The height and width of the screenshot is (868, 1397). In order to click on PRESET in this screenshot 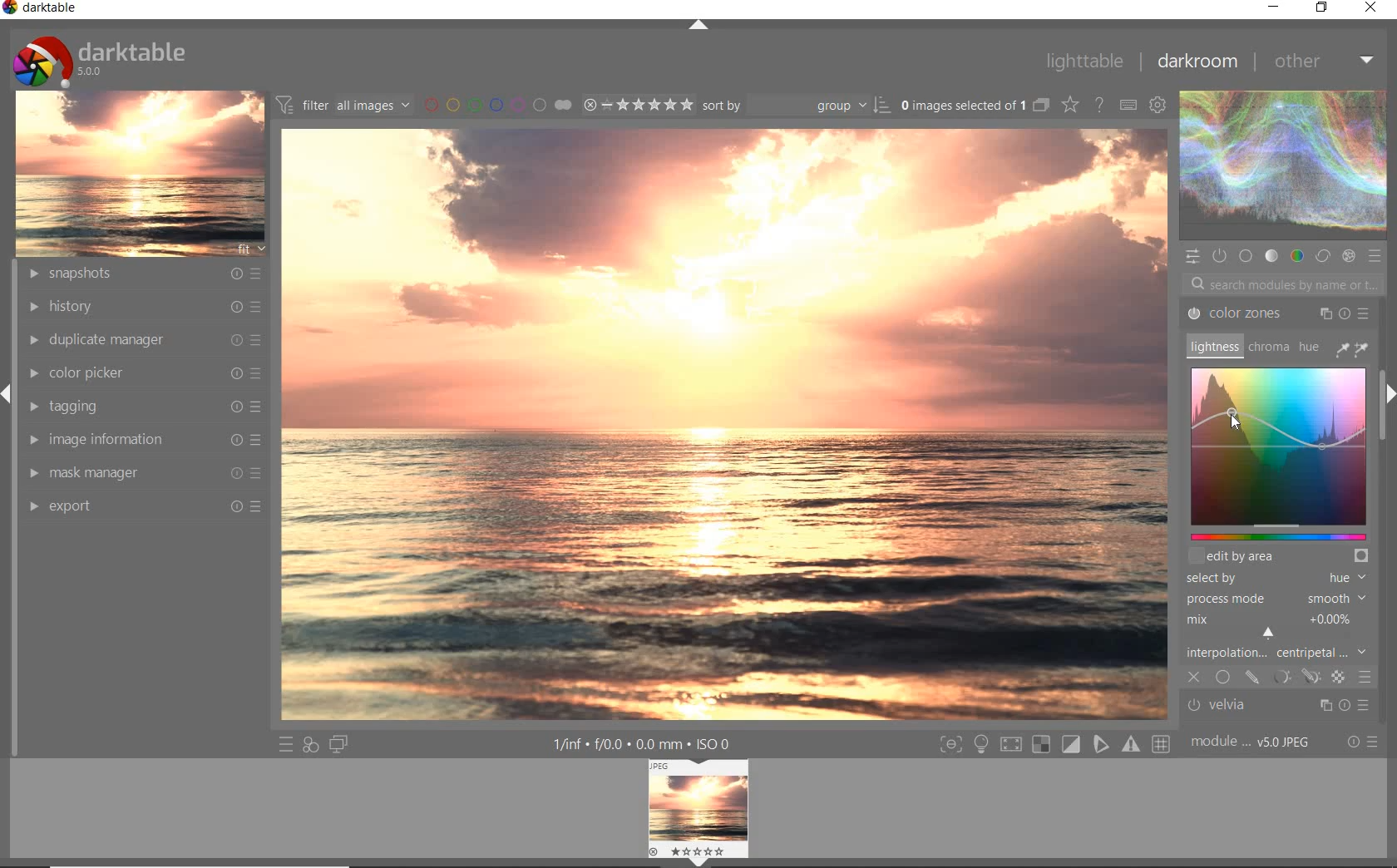, I will do `click(1378, 260)`.